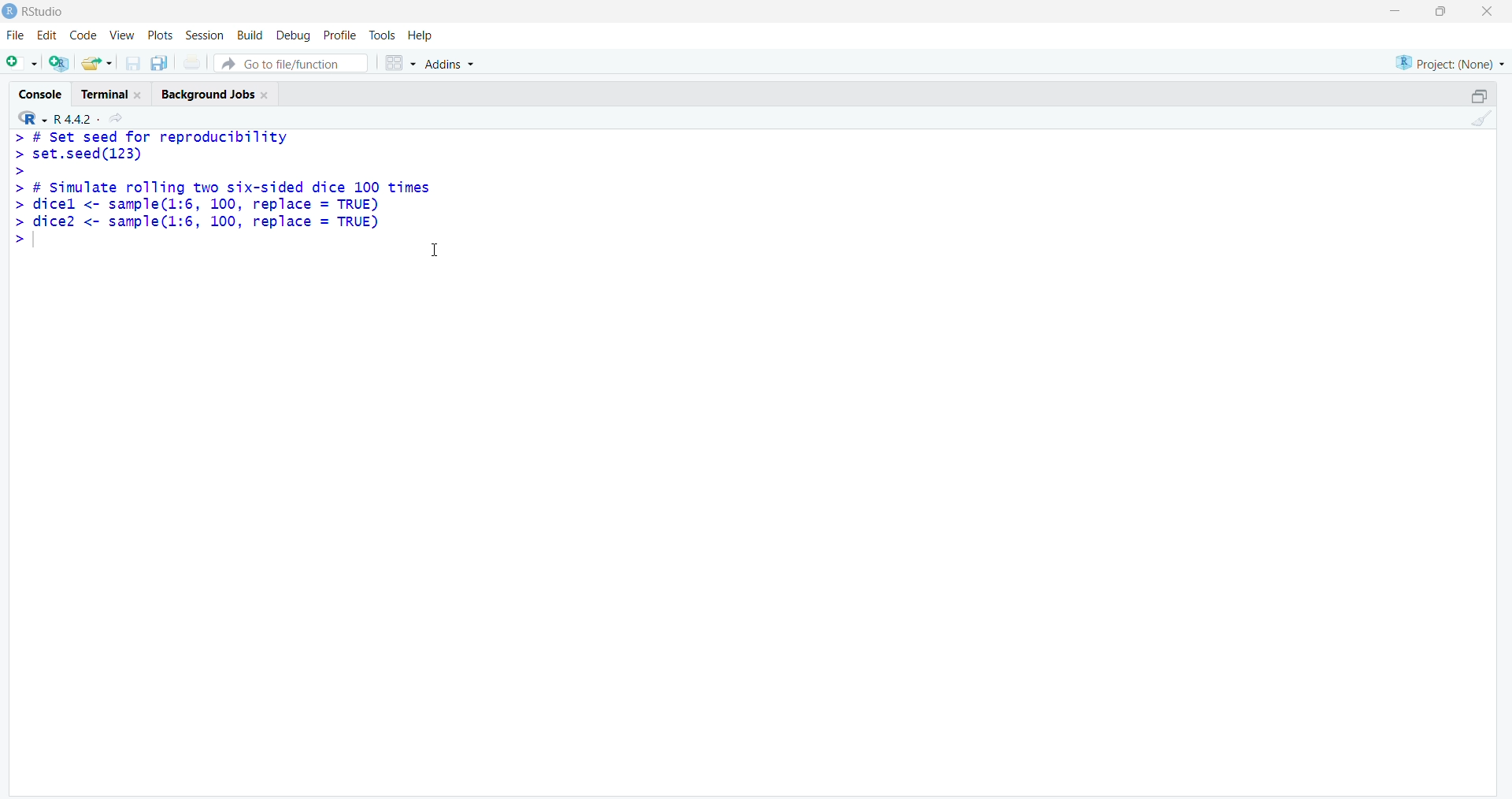  I want to click on project (none), so click(1450, 65).